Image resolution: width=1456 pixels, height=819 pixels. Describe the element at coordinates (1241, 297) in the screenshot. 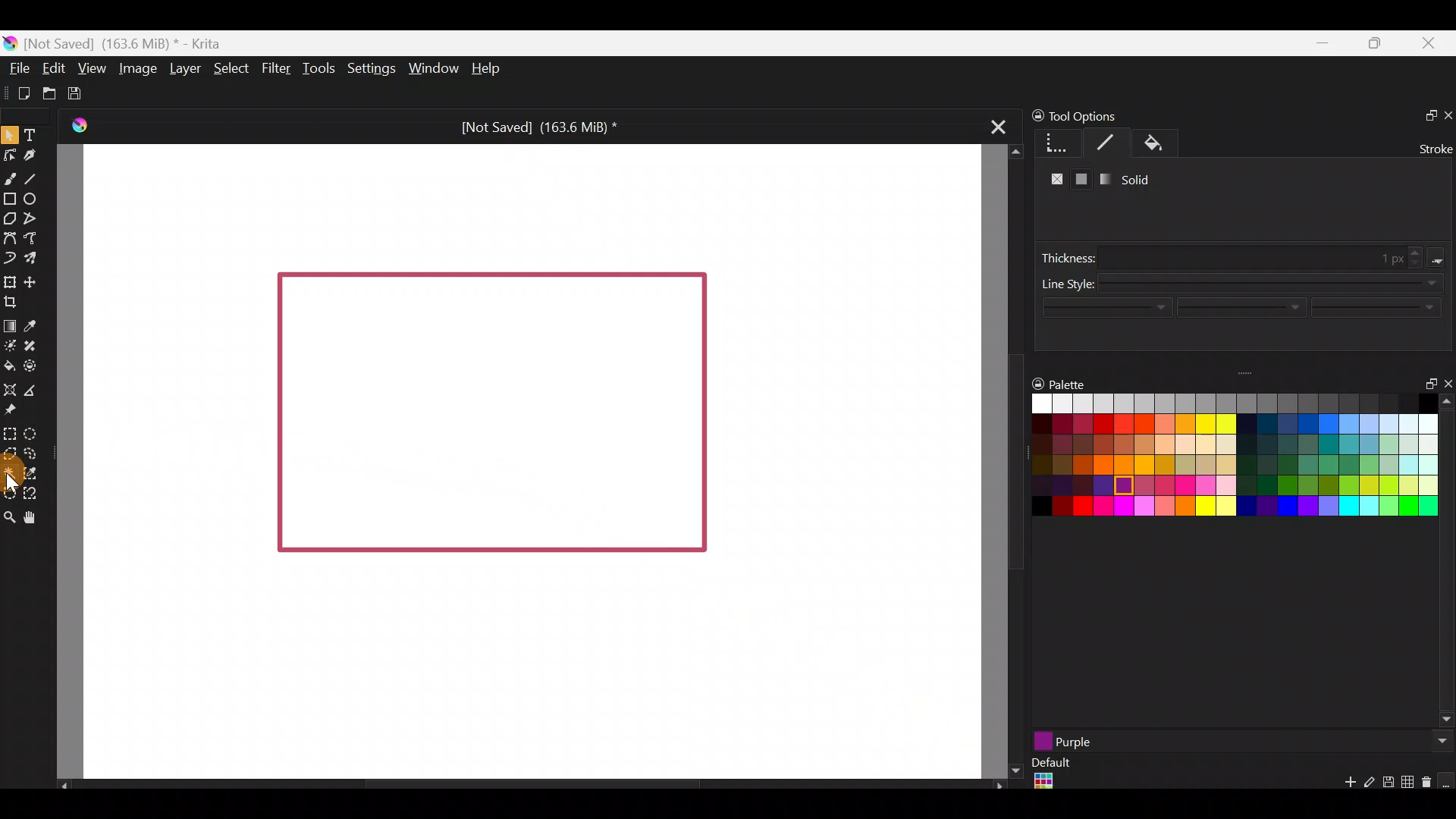

I see `Line style` at that location.